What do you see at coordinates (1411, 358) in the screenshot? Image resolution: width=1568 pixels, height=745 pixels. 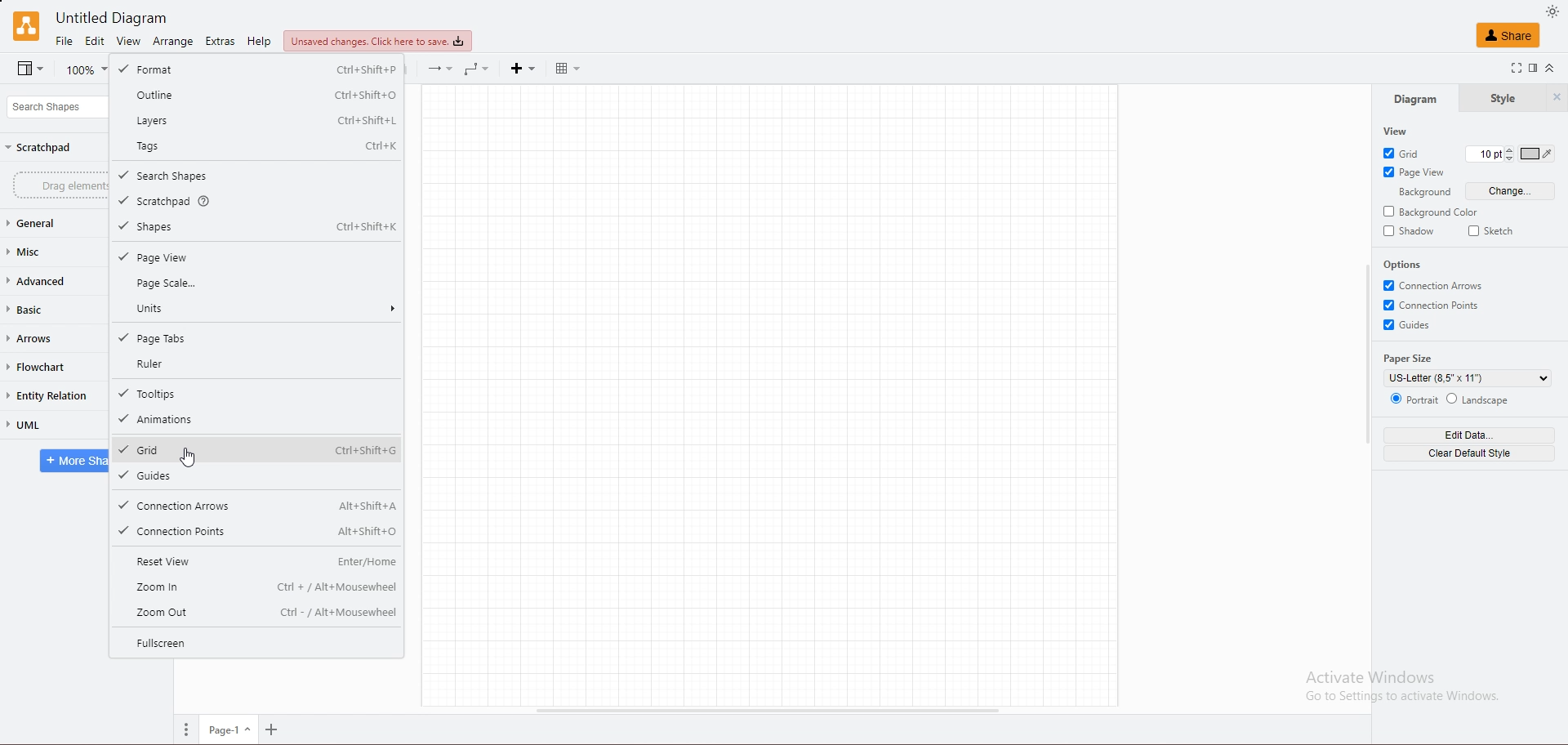 I see `paper size` at bounding box center [1411, 358].